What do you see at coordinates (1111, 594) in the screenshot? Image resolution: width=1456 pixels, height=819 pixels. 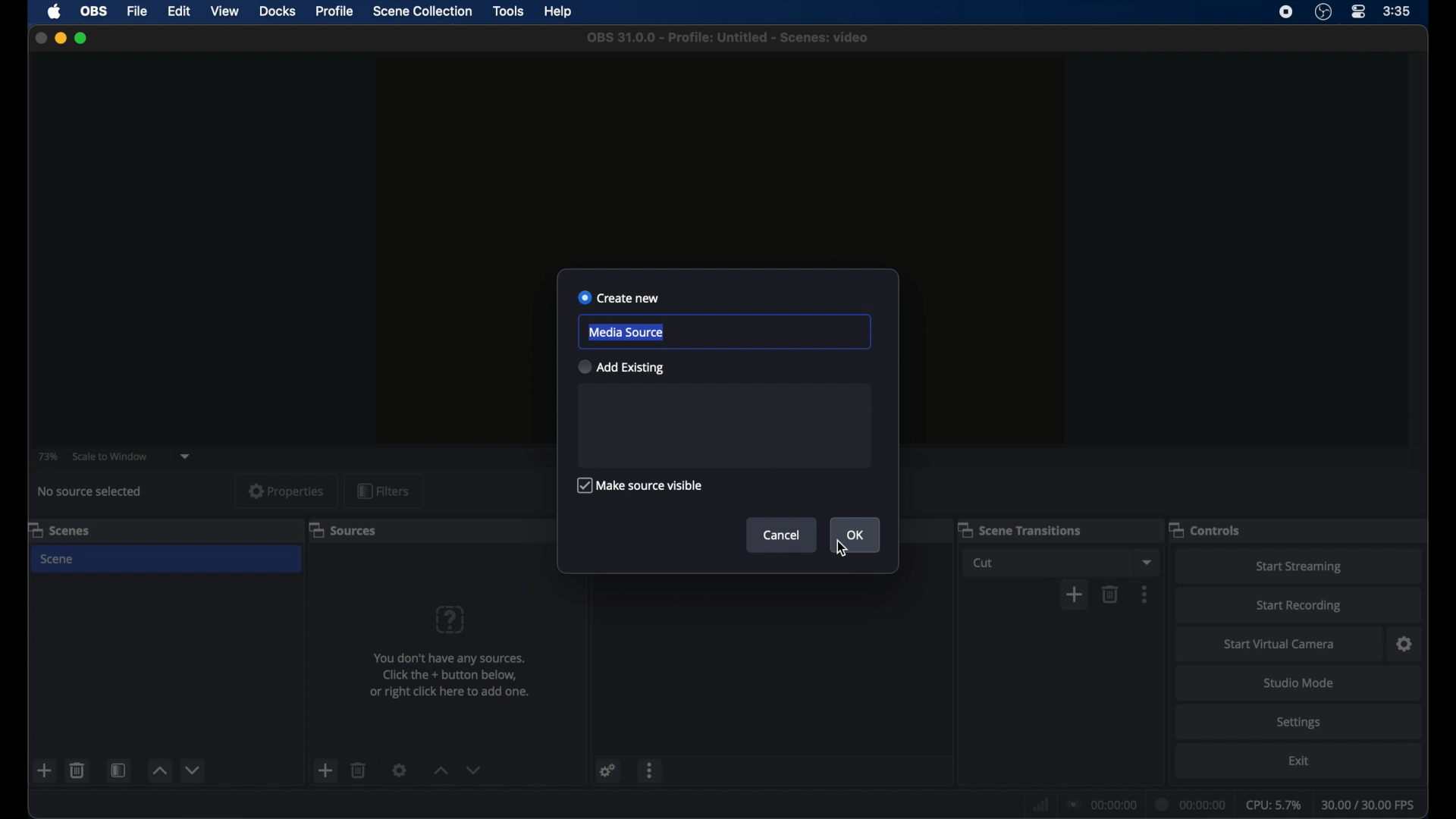 I see `delete` at bounding box center [1111, 594].